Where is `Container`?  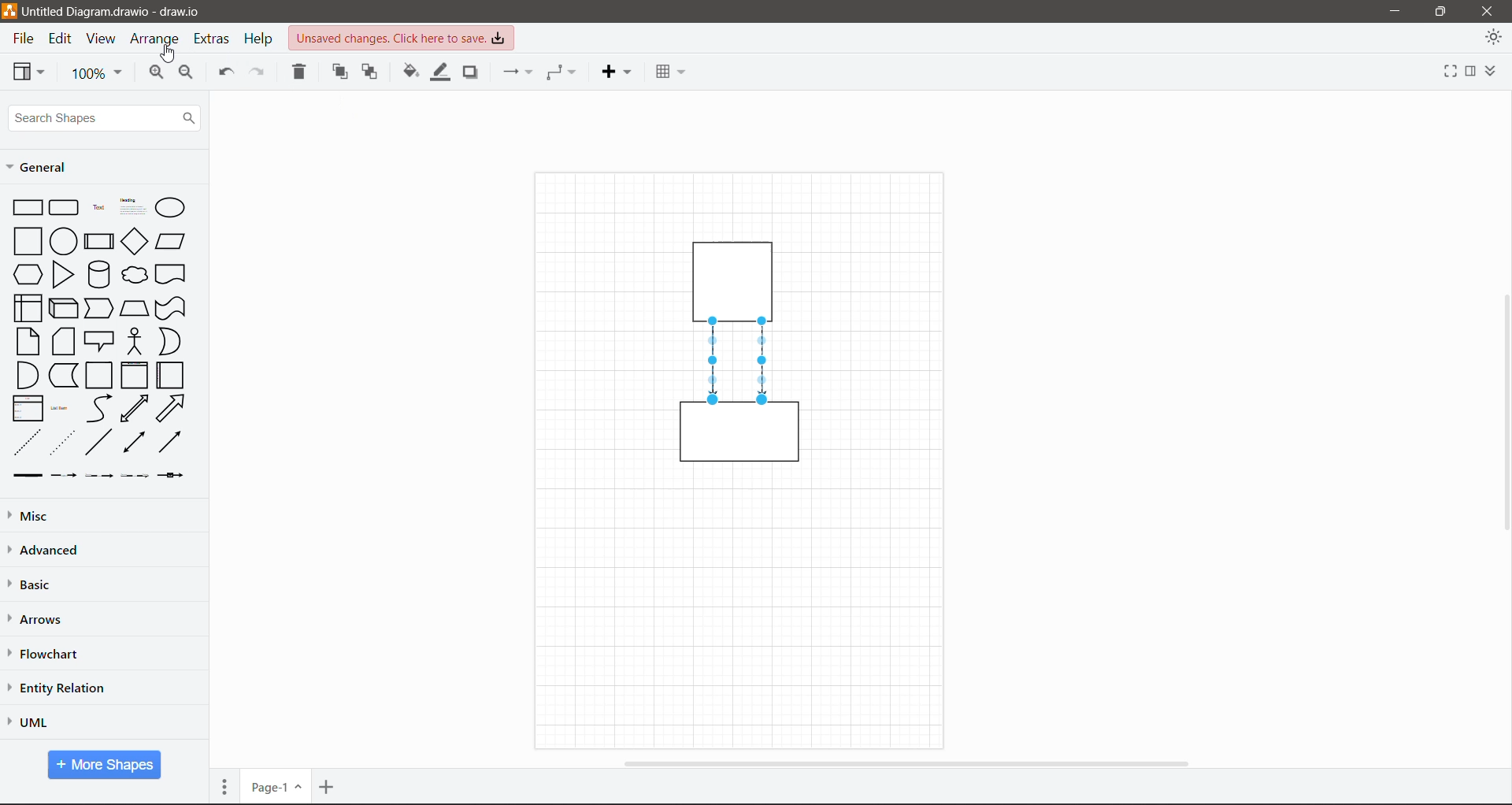 Container is located at coordinates (100, 376).